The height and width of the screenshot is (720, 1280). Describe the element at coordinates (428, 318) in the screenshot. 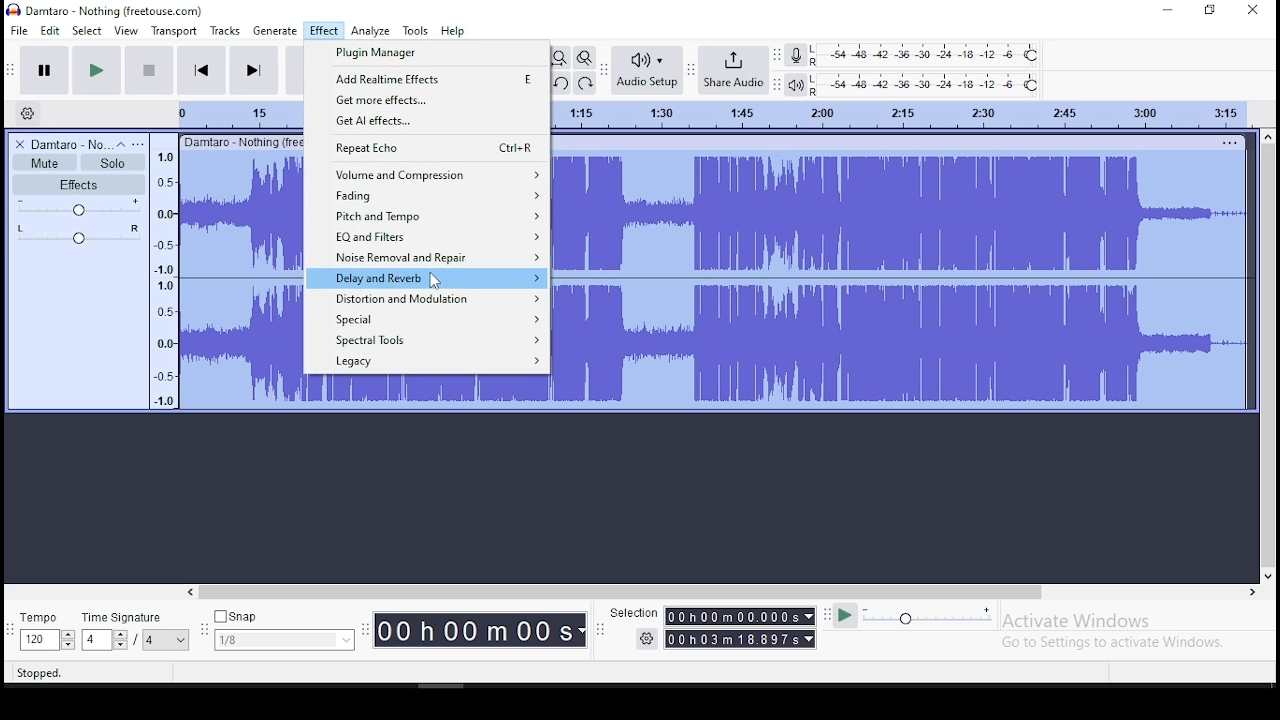

I see `special` at that location.